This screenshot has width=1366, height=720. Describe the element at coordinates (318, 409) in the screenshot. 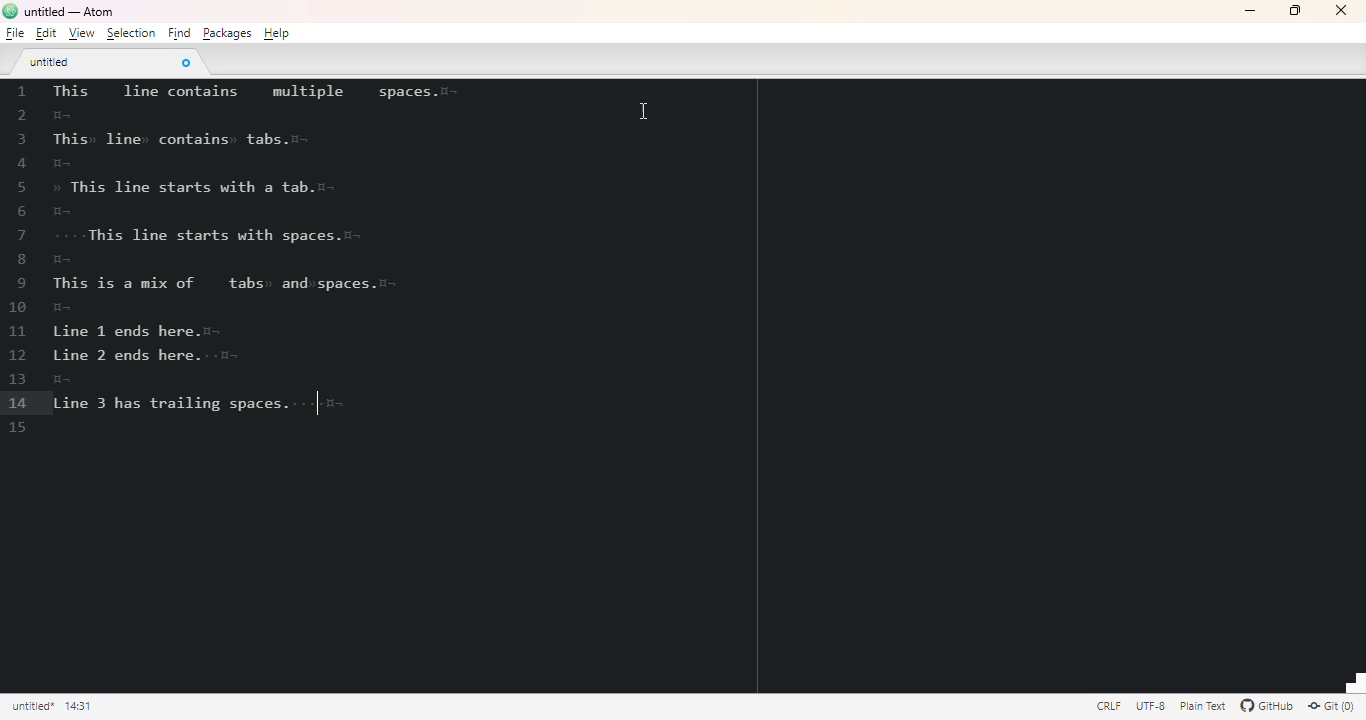

I see `cursor` at that location.